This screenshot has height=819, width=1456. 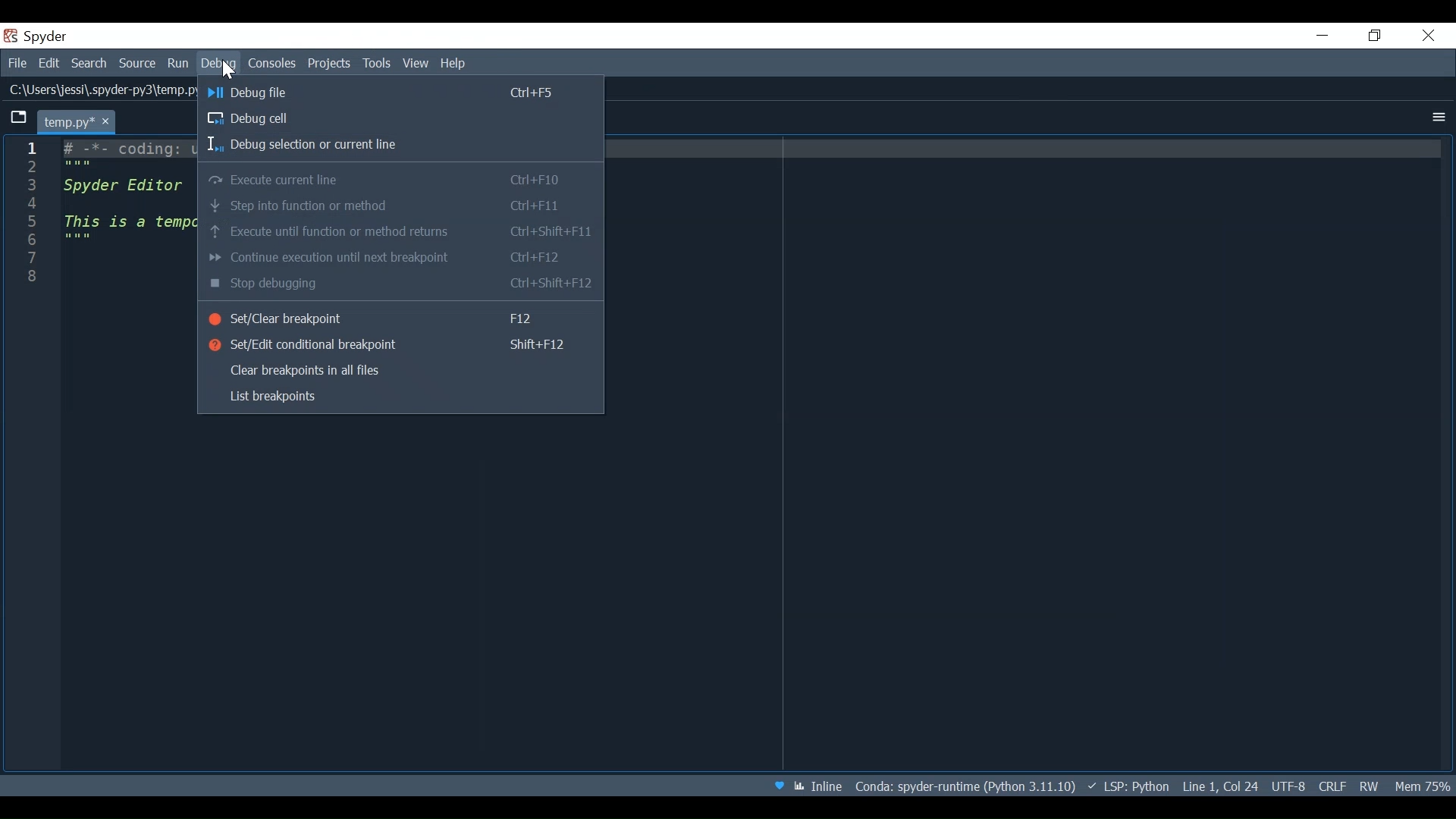 What do you see at coordinates (329, 65) in the screenshot?
I see `Projects` at bounding box center [329, 65].